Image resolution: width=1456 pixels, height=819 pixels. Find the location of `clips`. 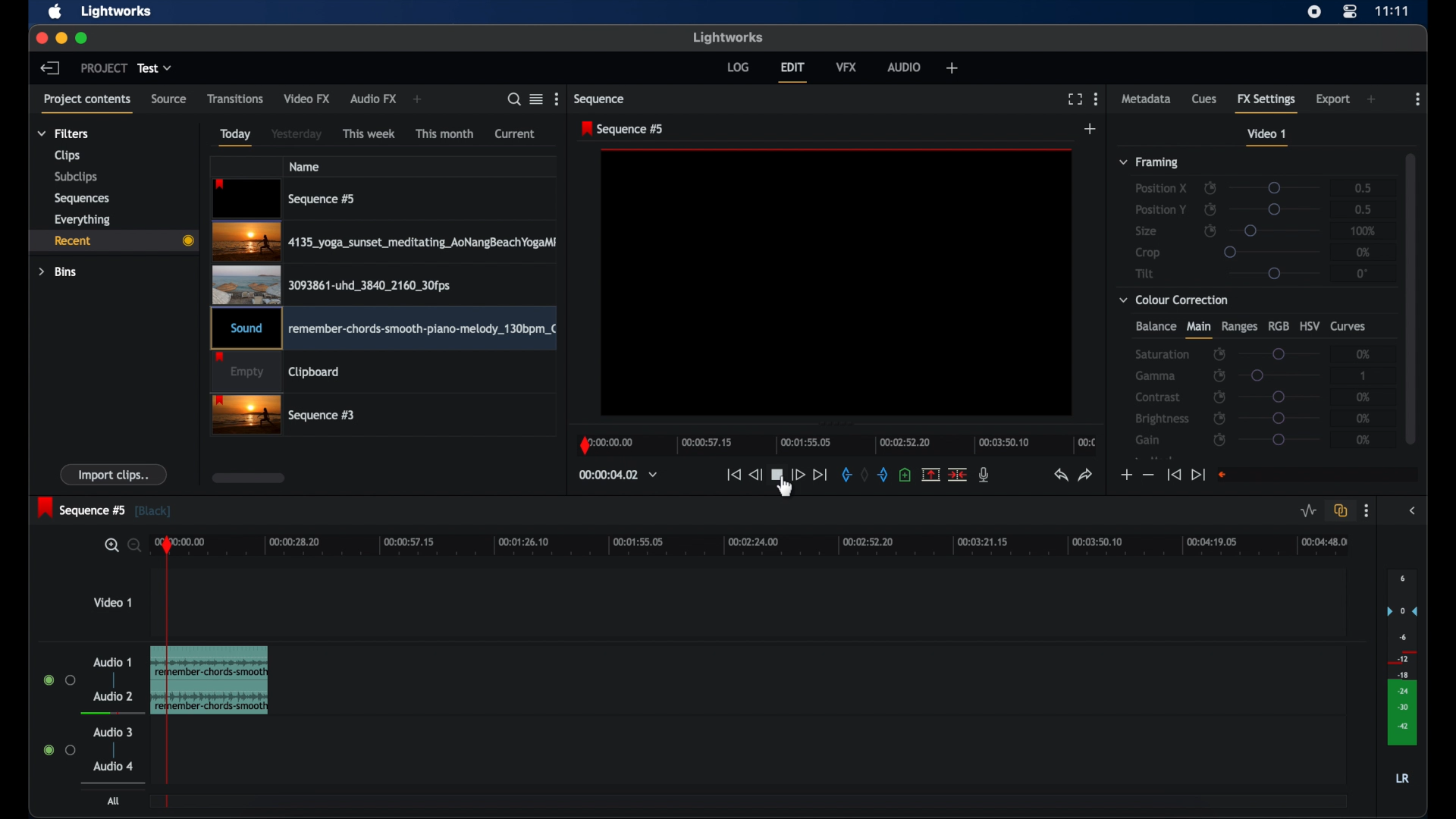

clips is located at coordinates (67, 155).